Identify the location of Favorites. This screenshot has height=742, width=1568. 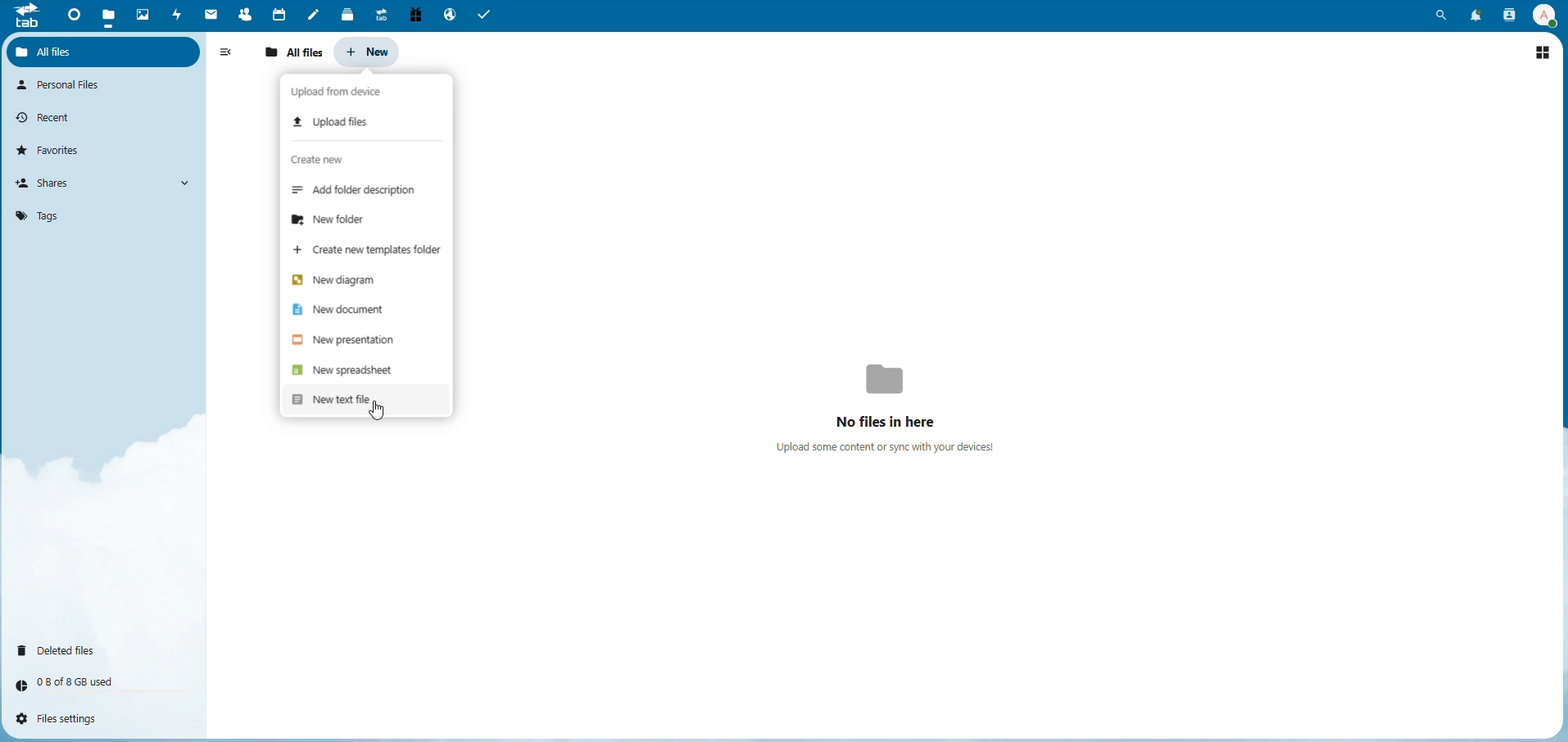
(55, 149).